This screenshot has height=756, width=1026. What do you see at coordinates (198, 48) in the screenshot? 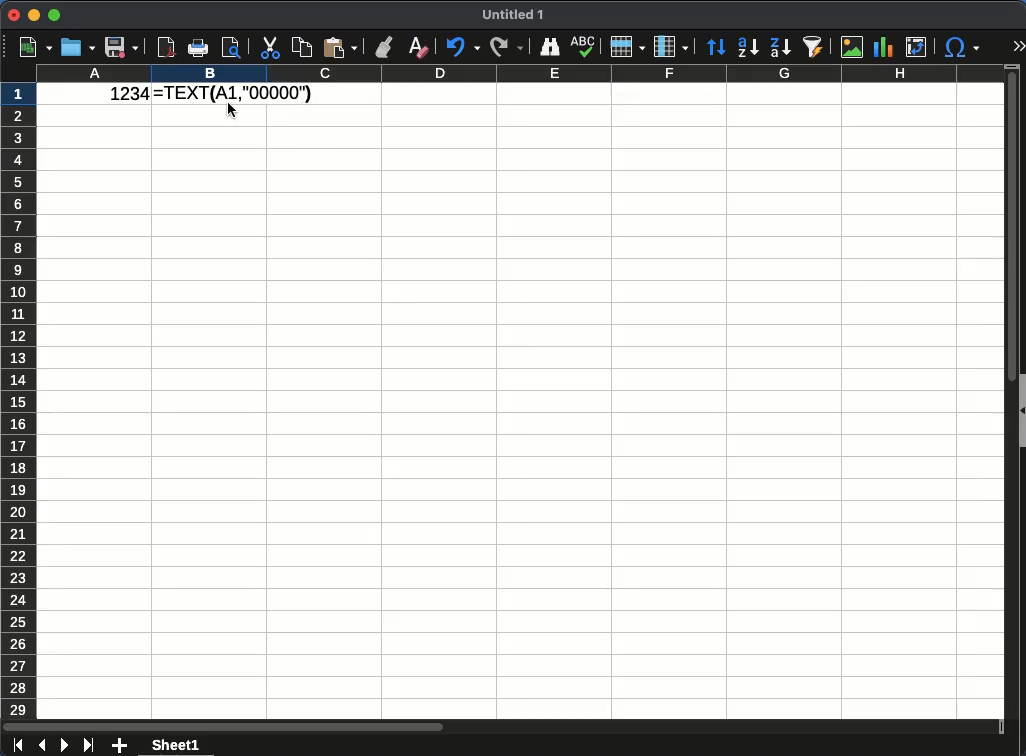
I see `print` at bounding box center [198, 48].